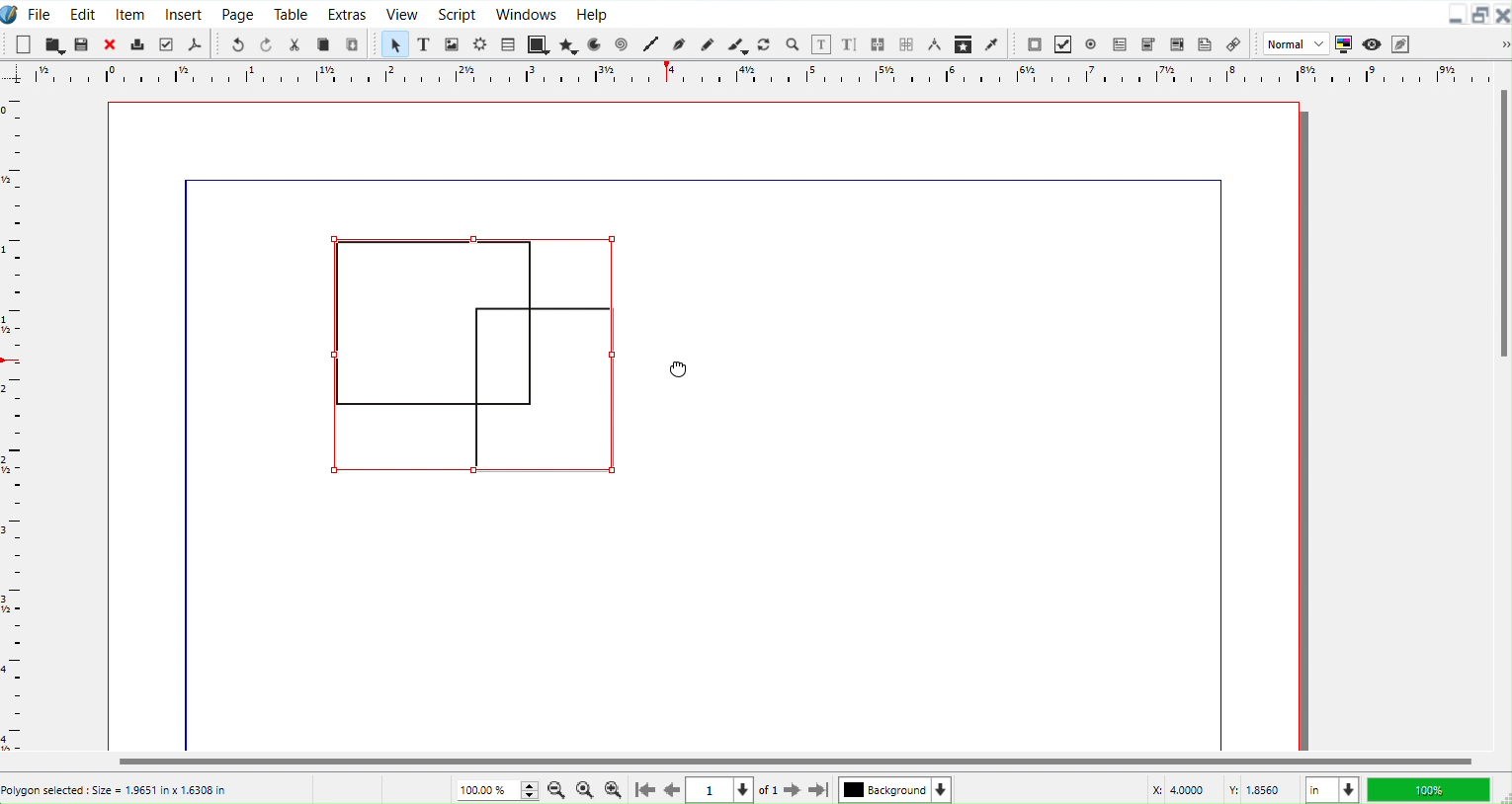 This screenshot has width=1512, height=804. Describe the element at coordinates (880, 44) in the screenshot. I see `Link text frame` at that location.